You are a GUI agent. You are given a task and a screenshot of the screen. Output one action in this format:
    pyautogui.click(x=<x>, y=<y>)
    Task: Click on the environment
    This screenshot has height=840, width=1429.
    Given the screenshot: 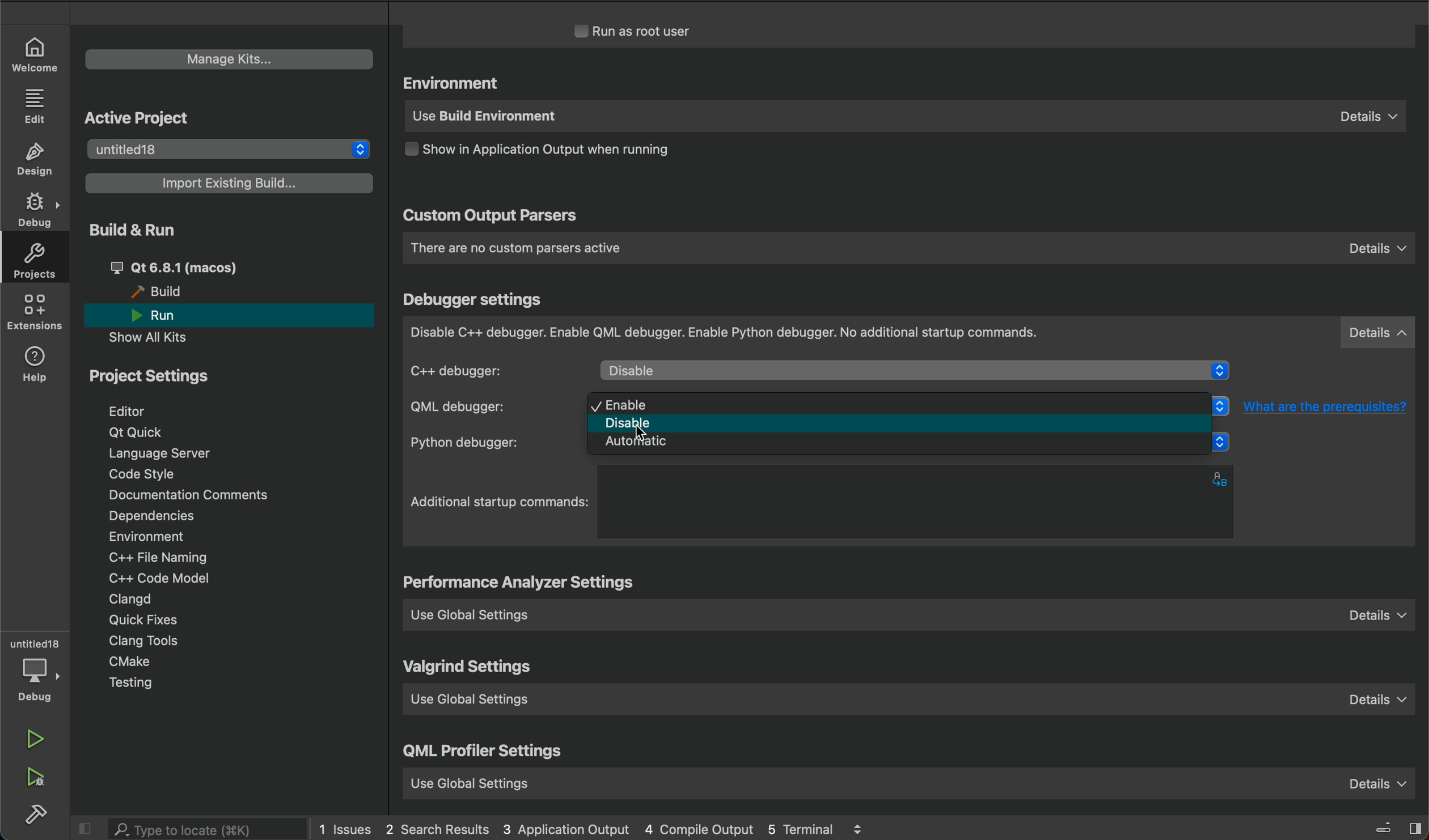 What is the action you would take?
    pyautogui.click(x=146, y=536)
    